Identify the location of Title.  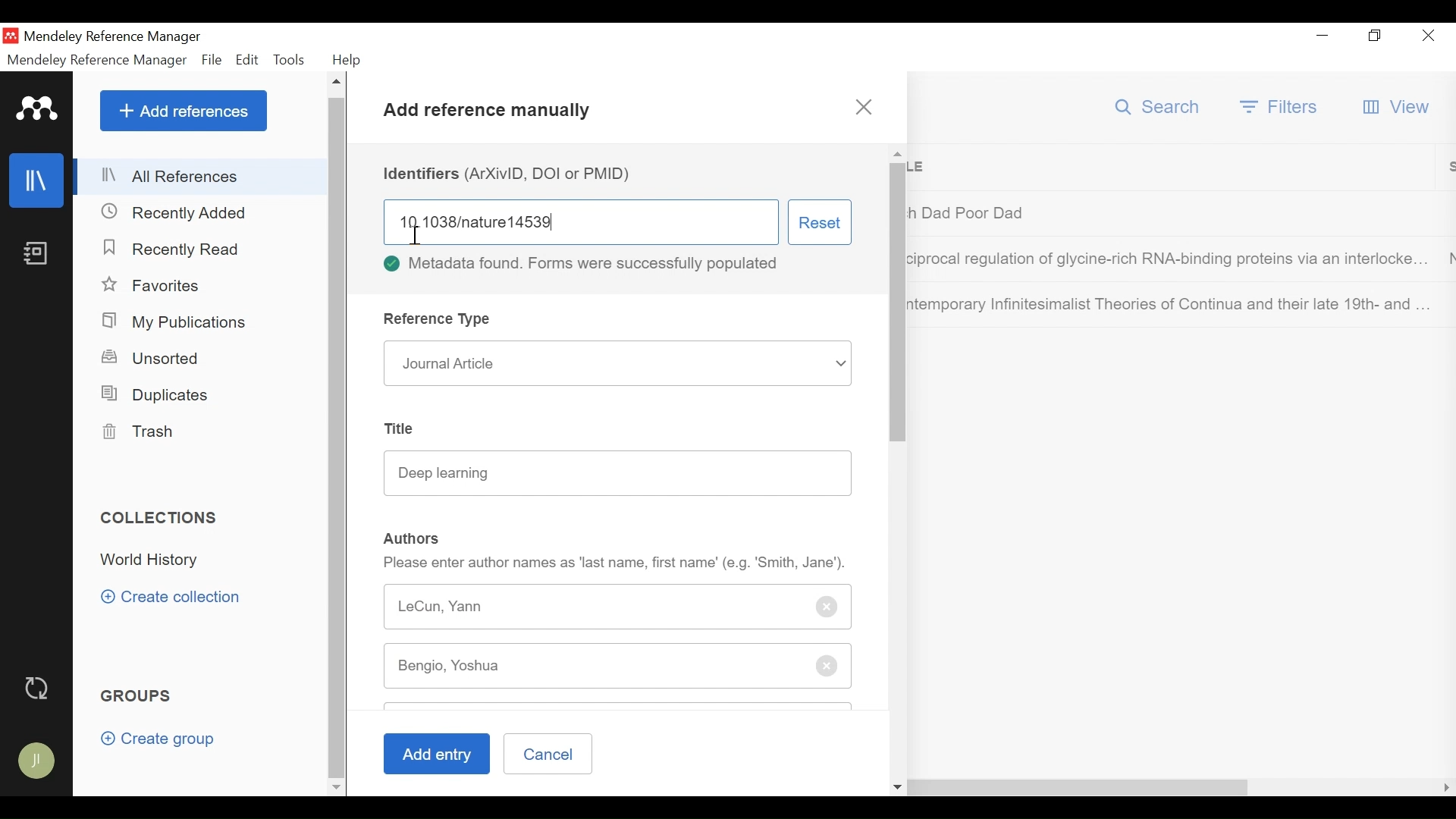
(1177, 168).